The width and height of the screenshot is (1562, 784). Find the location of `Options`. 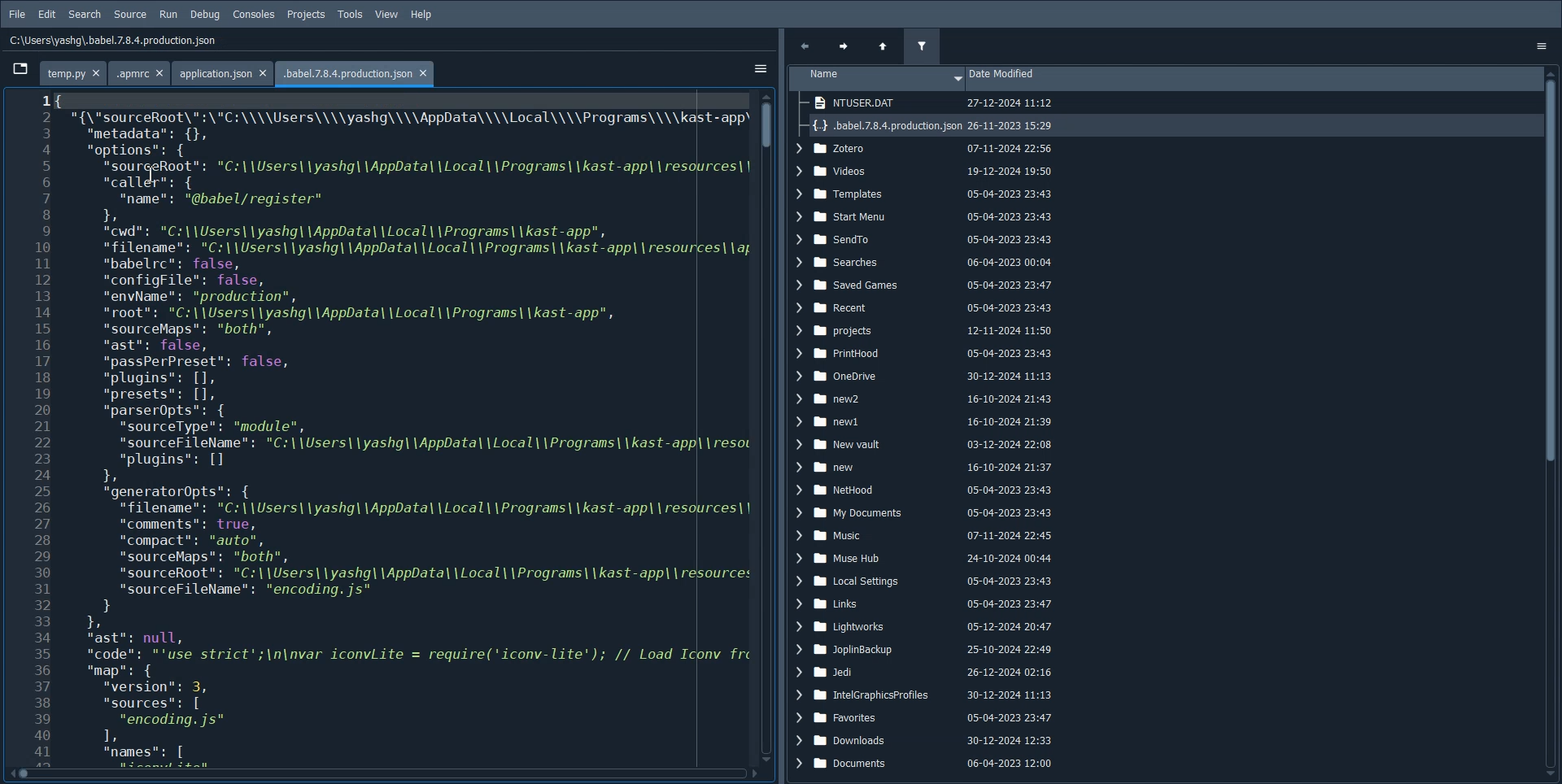

Options is located at coordinates (1546, 46).